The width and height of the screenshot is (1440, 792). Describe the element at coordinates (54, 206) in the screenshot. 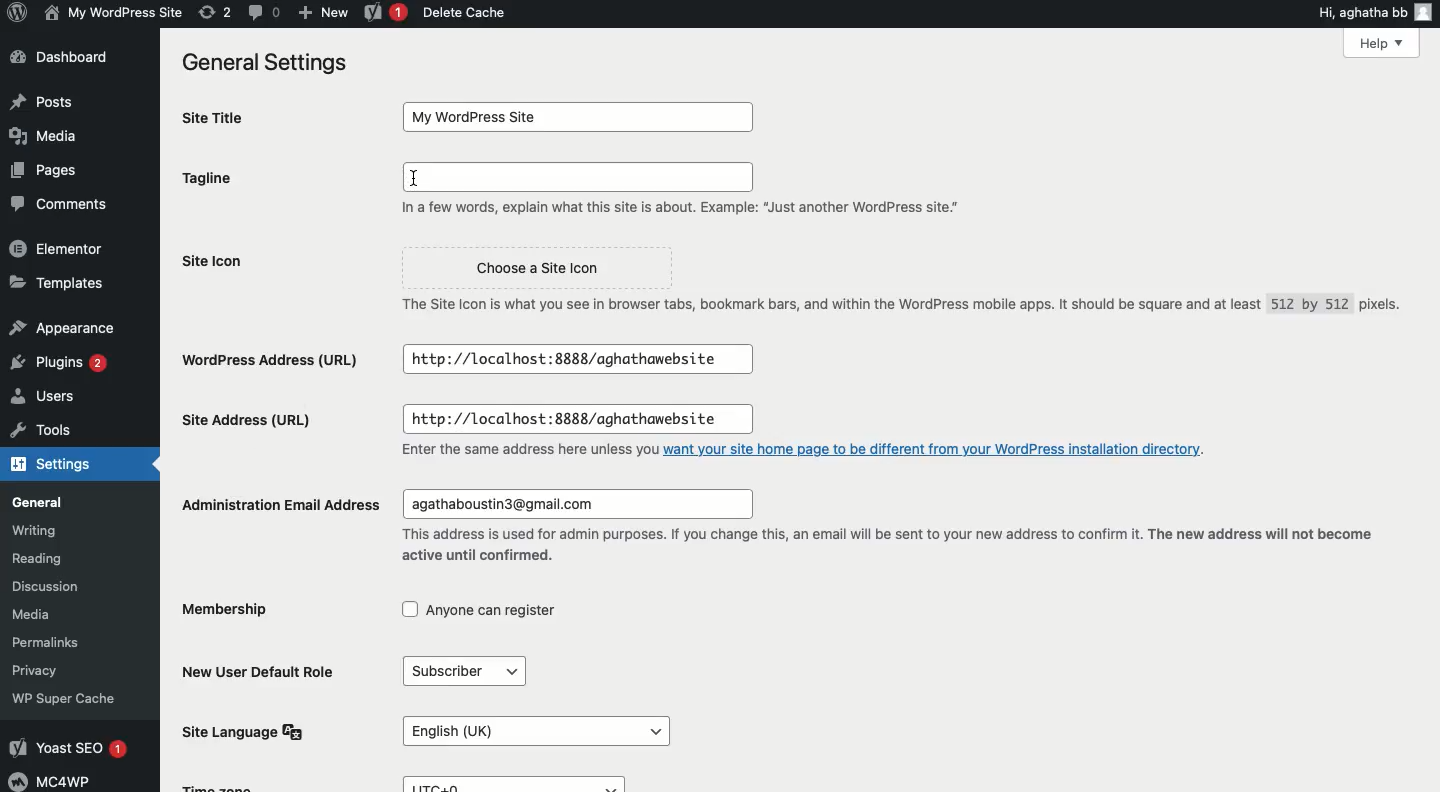

I see `Comment` at that location.